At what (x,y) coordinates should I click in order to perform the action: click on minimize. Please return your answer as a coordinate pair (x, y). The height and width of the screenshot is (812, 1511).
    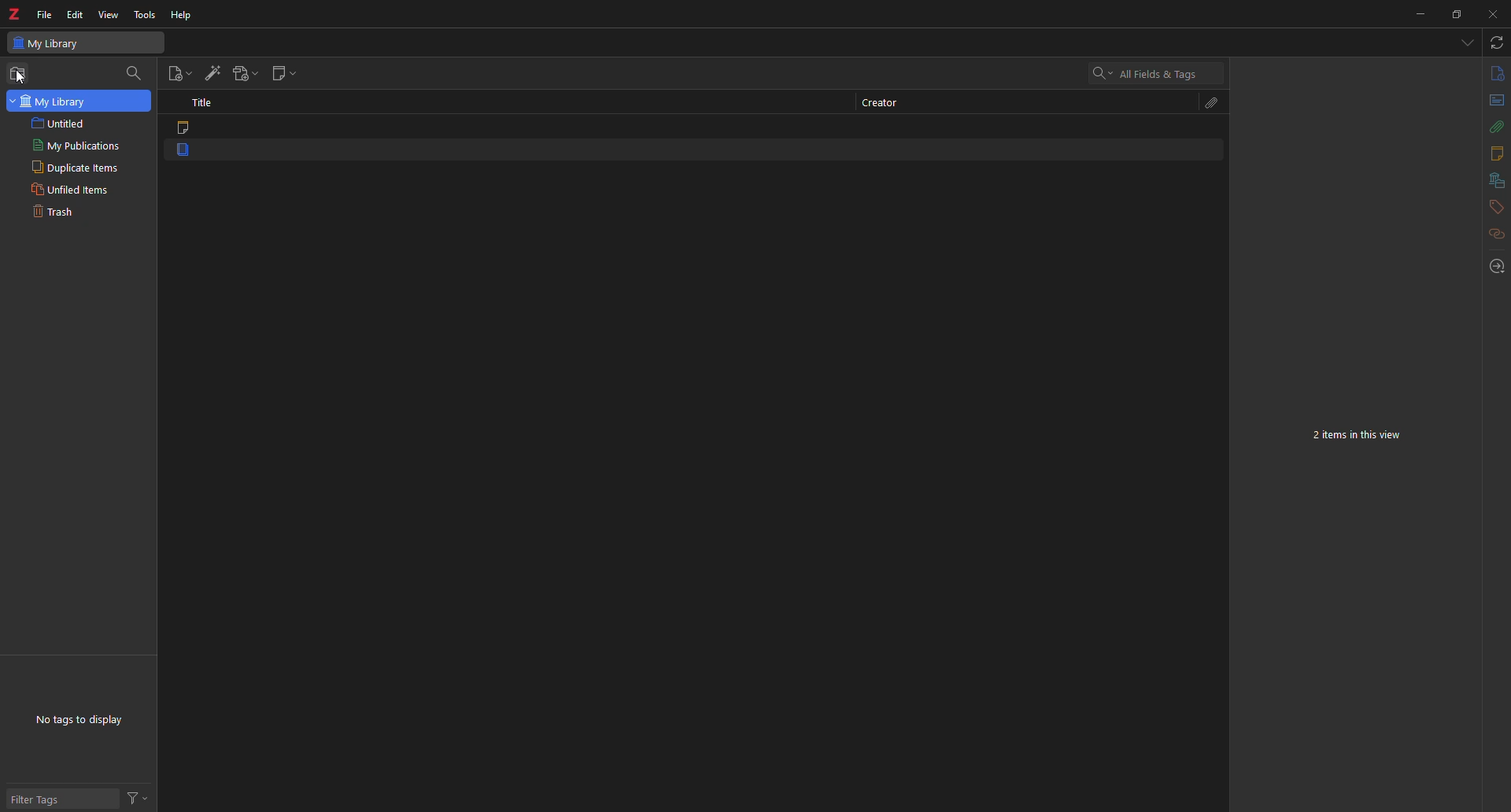
    Looking at the image, I should click on (1417, 14).